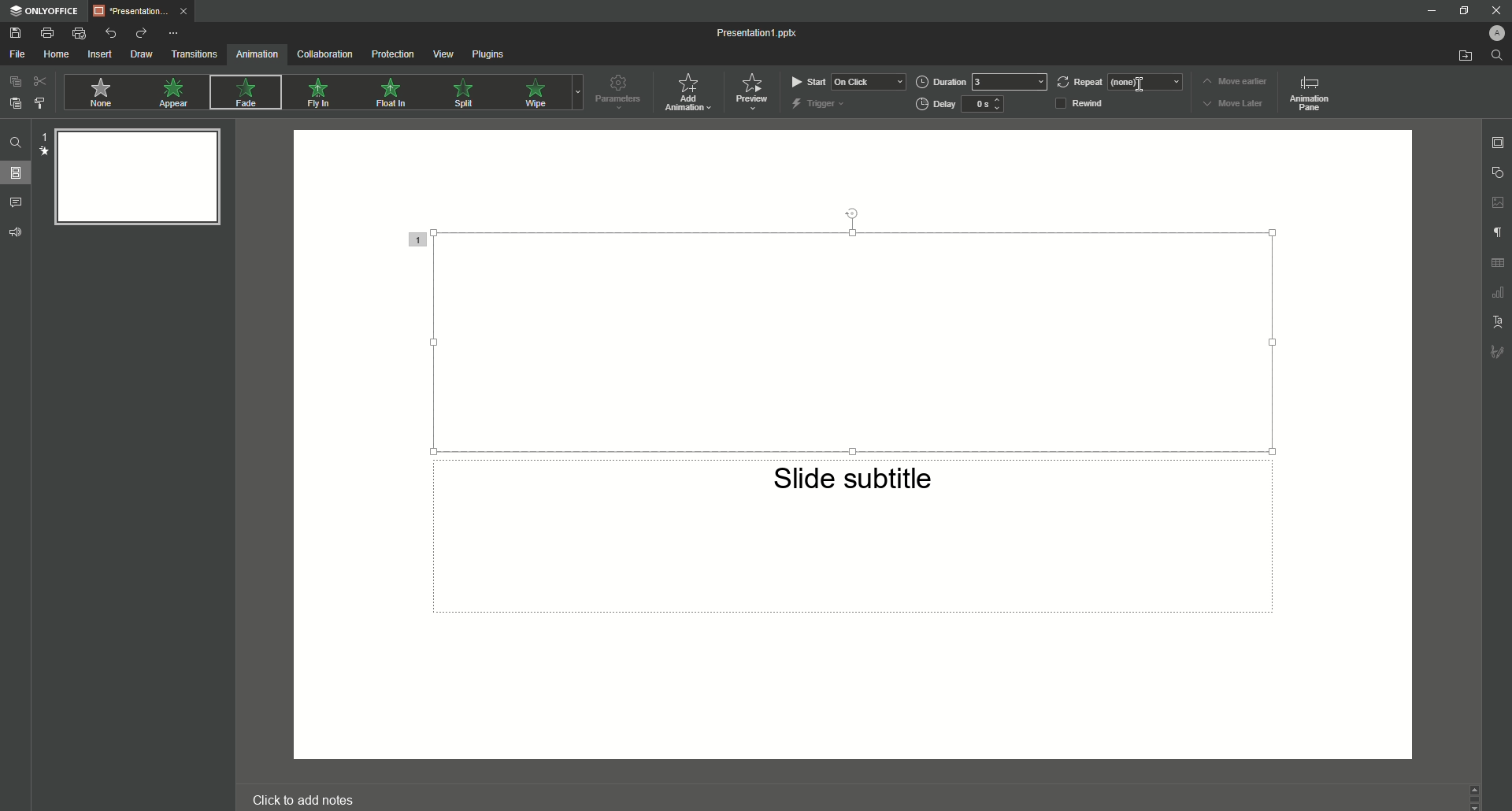  Describe the element at coordinates (17, 203) in the screenshot. I see `Comments` at that location.